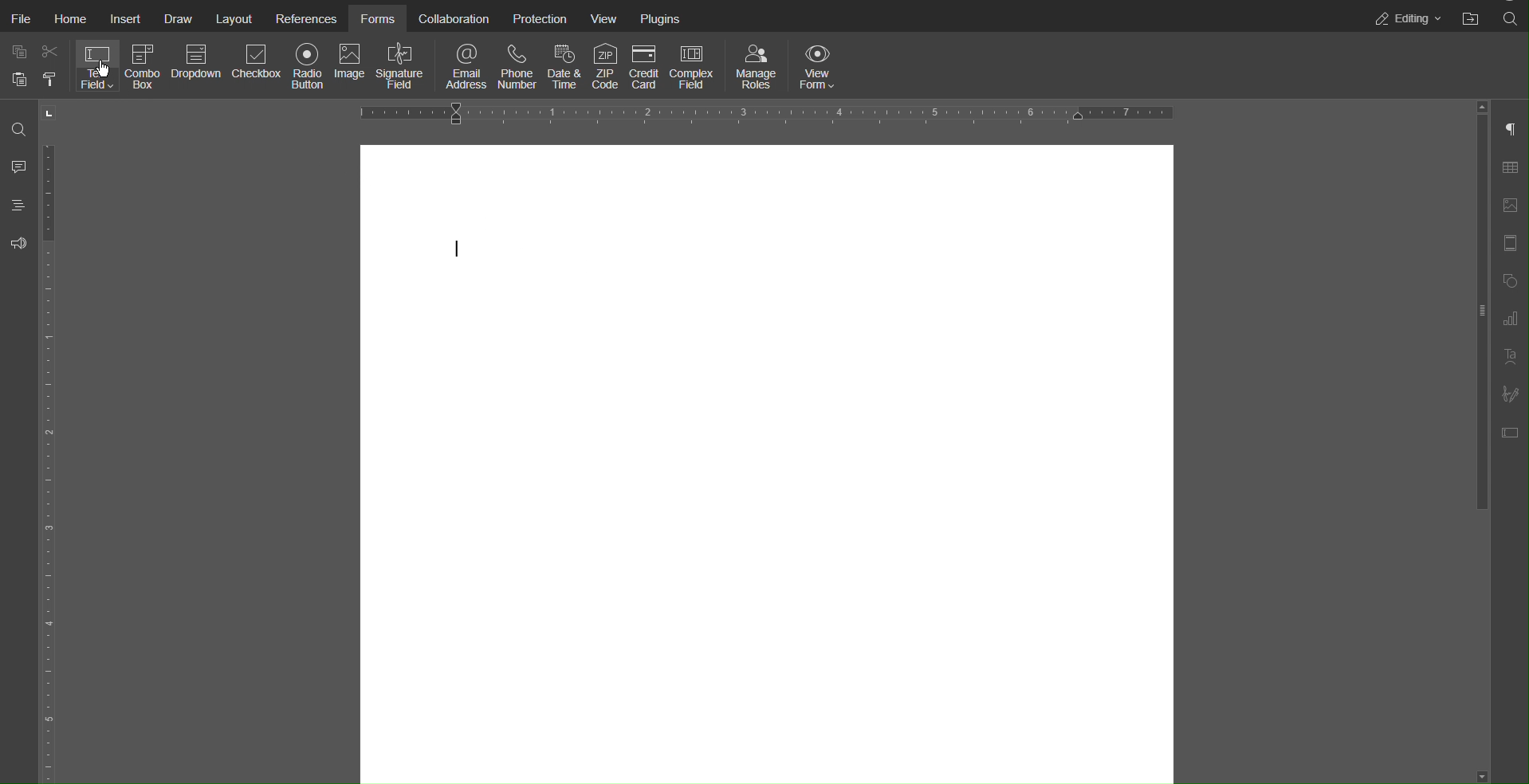 The height and width of the screenshot is (784, 1529). What do you see at coordinates (399, 66) in the screenshot?
I see `Signature` at bounding box center [399, 66].